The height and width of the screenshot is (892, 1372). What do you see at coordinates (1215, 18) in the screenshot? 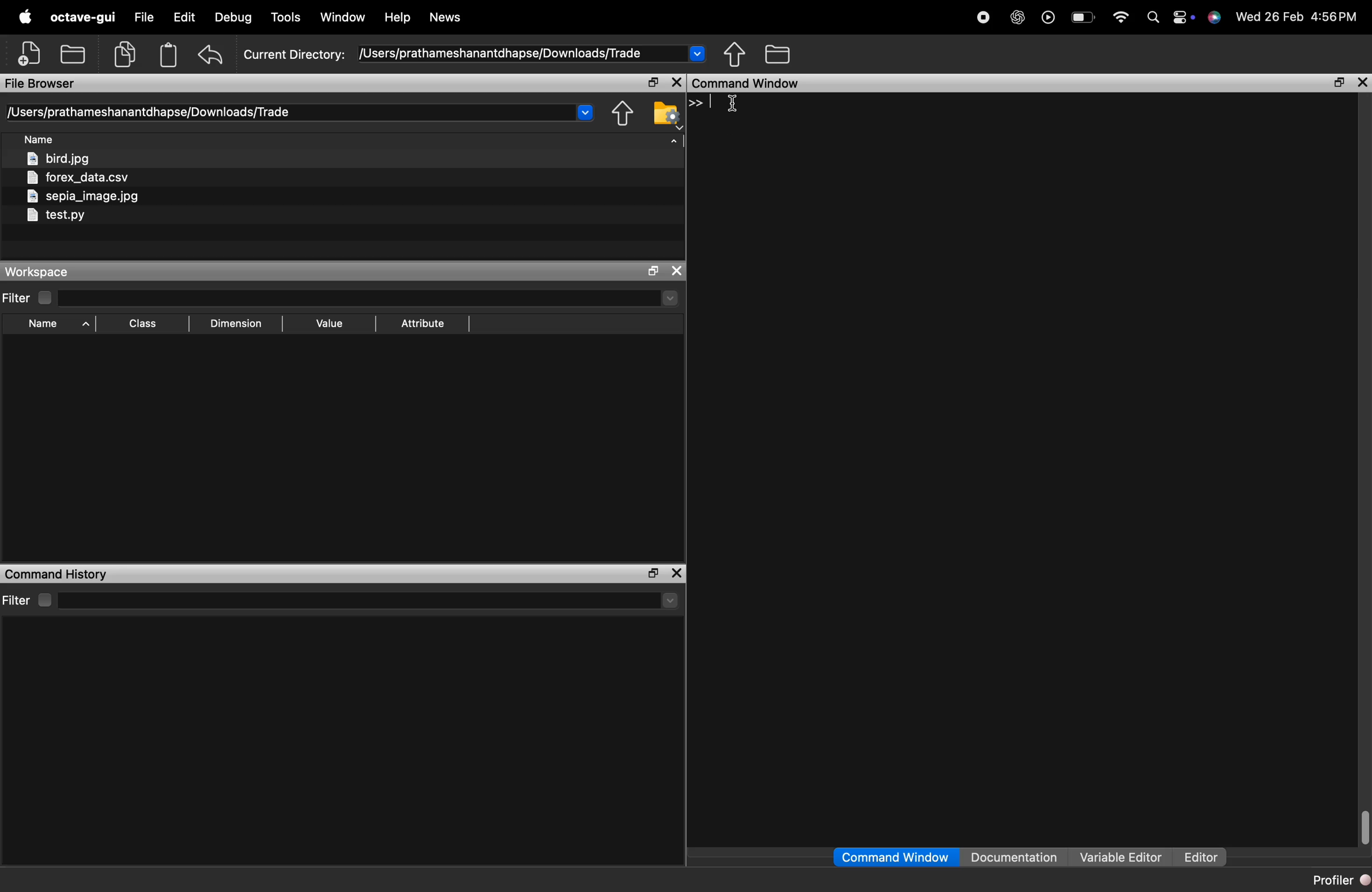
I see `support` at bounding box center [1215, 18].